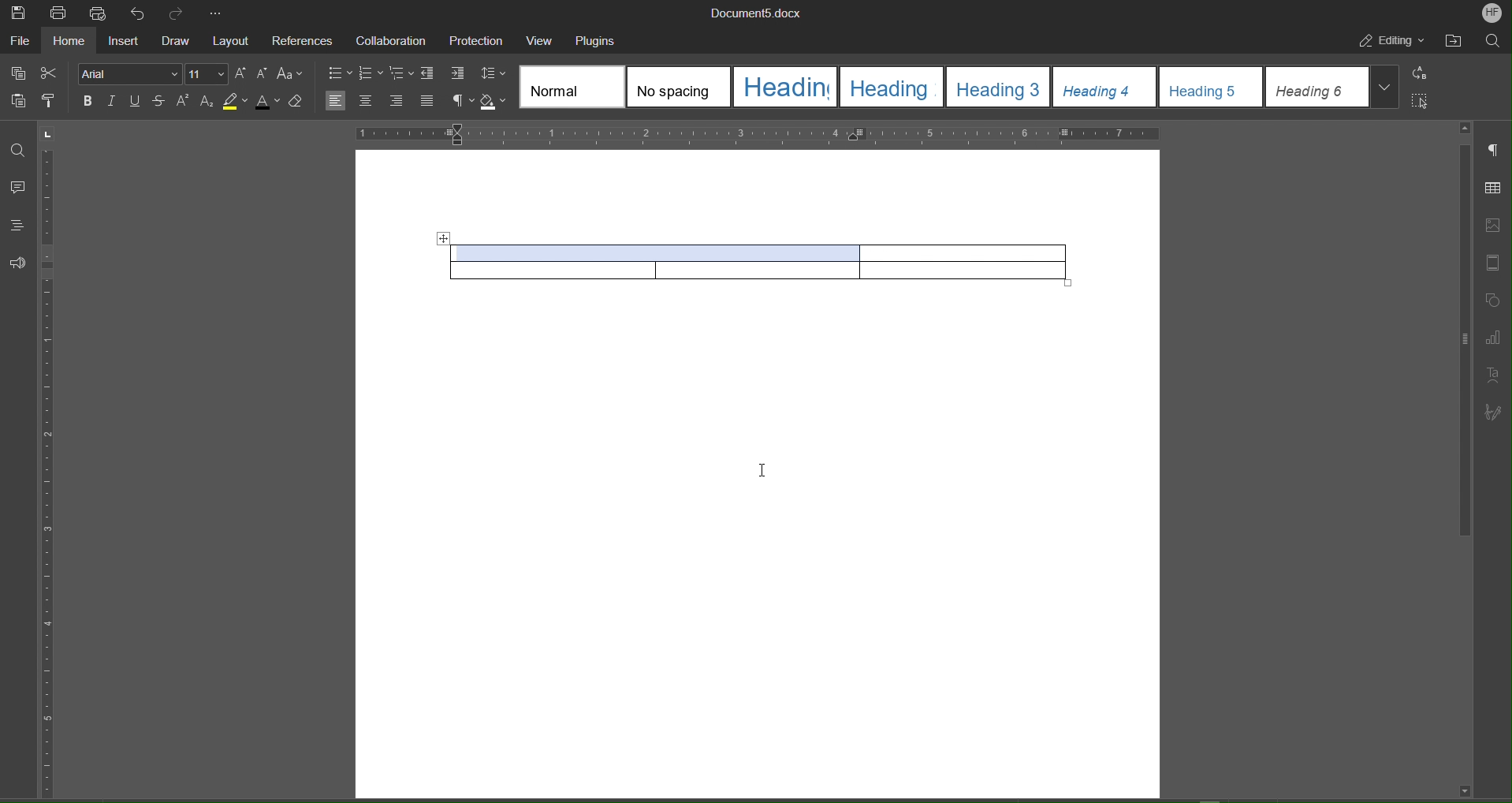 The image size is (1512, 803). What do you see at coordinates (180, 43) in the screenshot?
I see `Draw` at bounding box center [180, 43].